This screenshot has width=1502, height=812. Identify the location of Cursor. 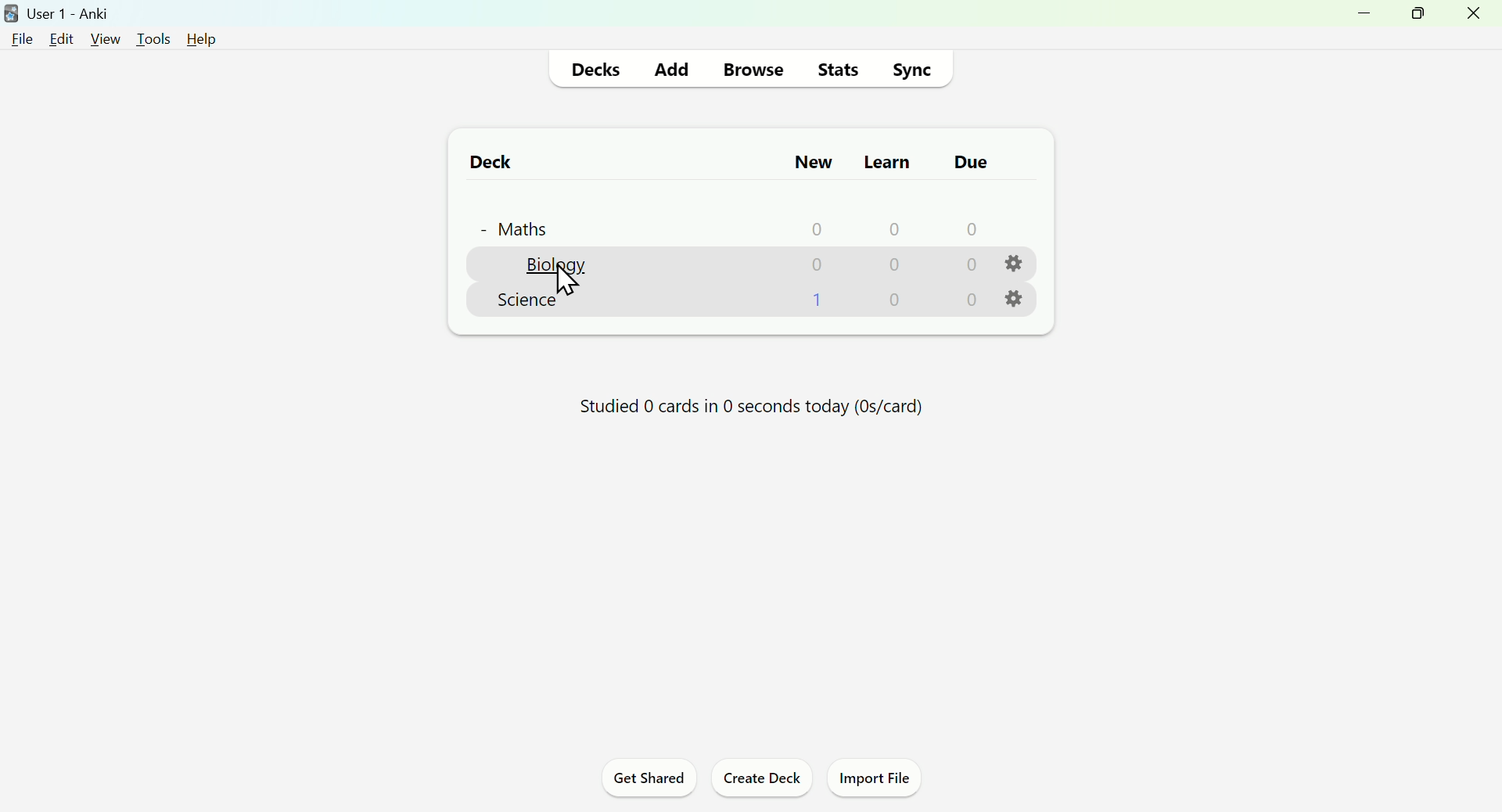
(567, 282).